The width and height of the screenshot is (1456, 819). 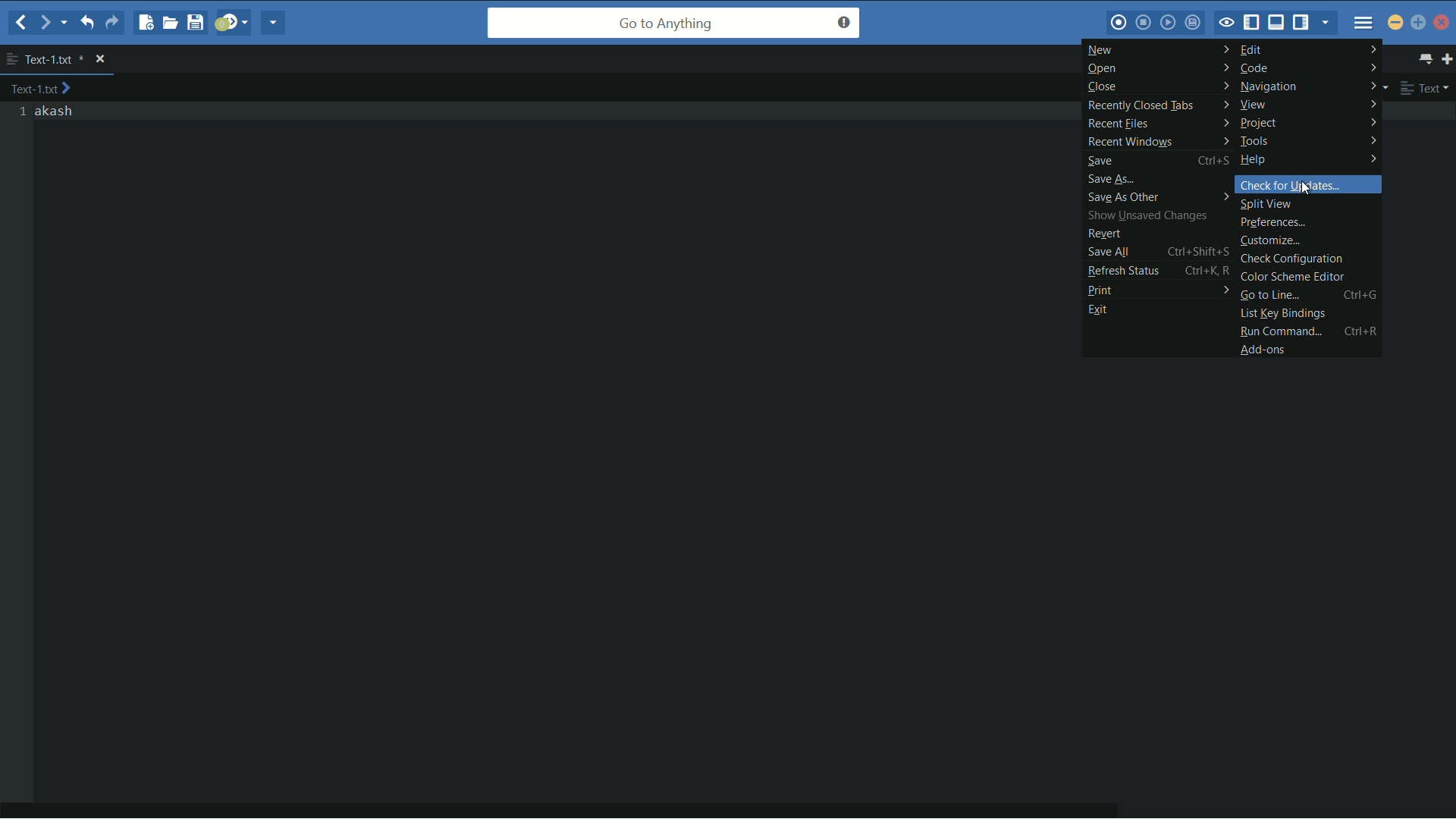 What do you see at coordinates (1156, 271) in the screenshot?
I see `refresh status` at bounding box center [1156, 271].